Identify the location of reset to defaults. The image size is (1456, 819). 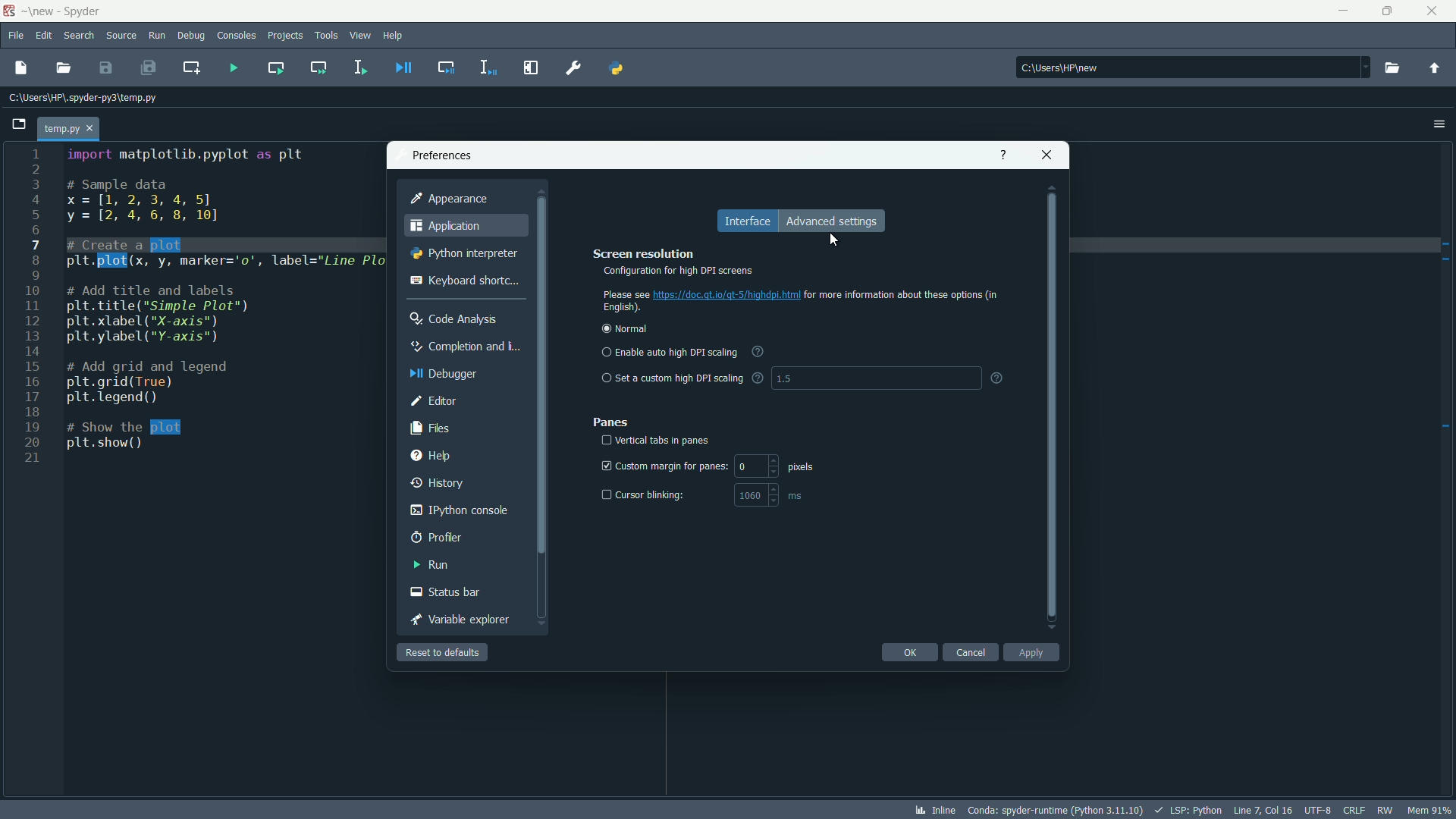
(444, 653).